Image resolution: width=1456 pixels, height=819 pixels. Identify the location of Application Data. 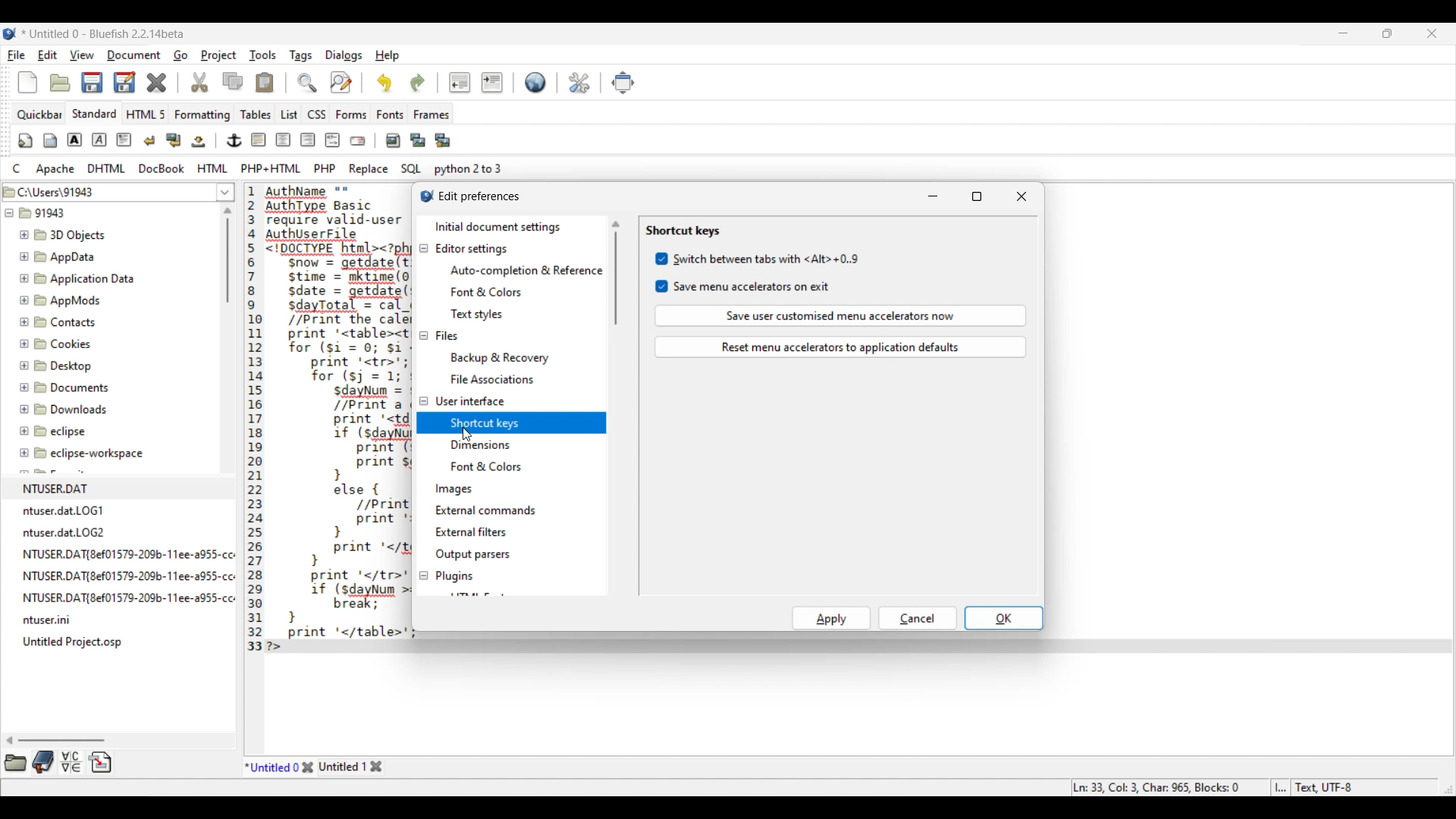
(77, 278).